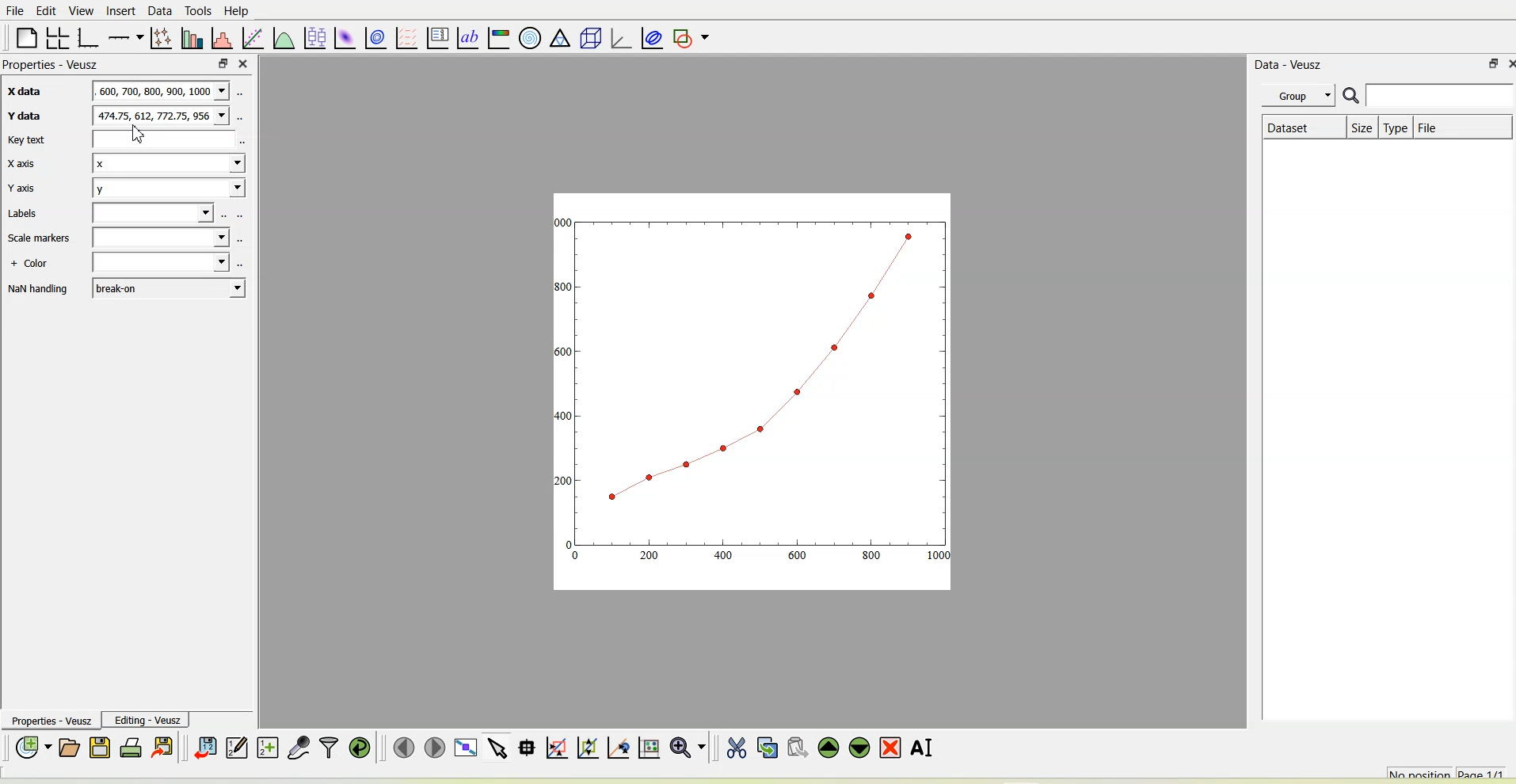  Describe the element at coordinates (226, 215) in the screenshot. I see `select using dataset browser` at that location.